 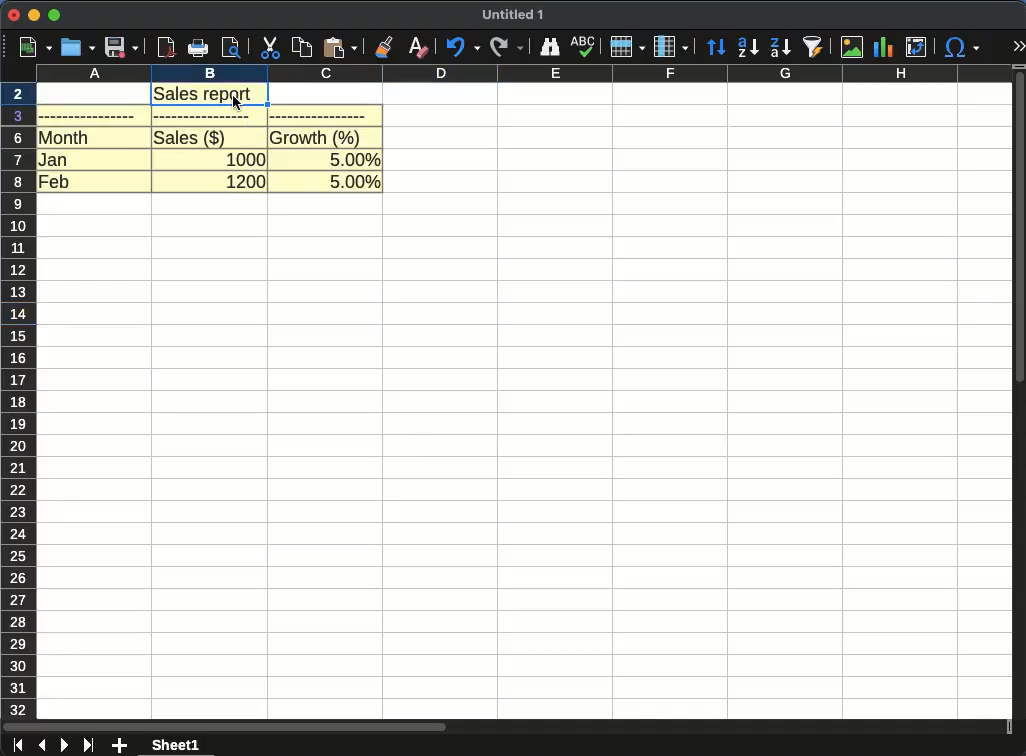 I want to click on last sheet, so click(x=90, y=745).